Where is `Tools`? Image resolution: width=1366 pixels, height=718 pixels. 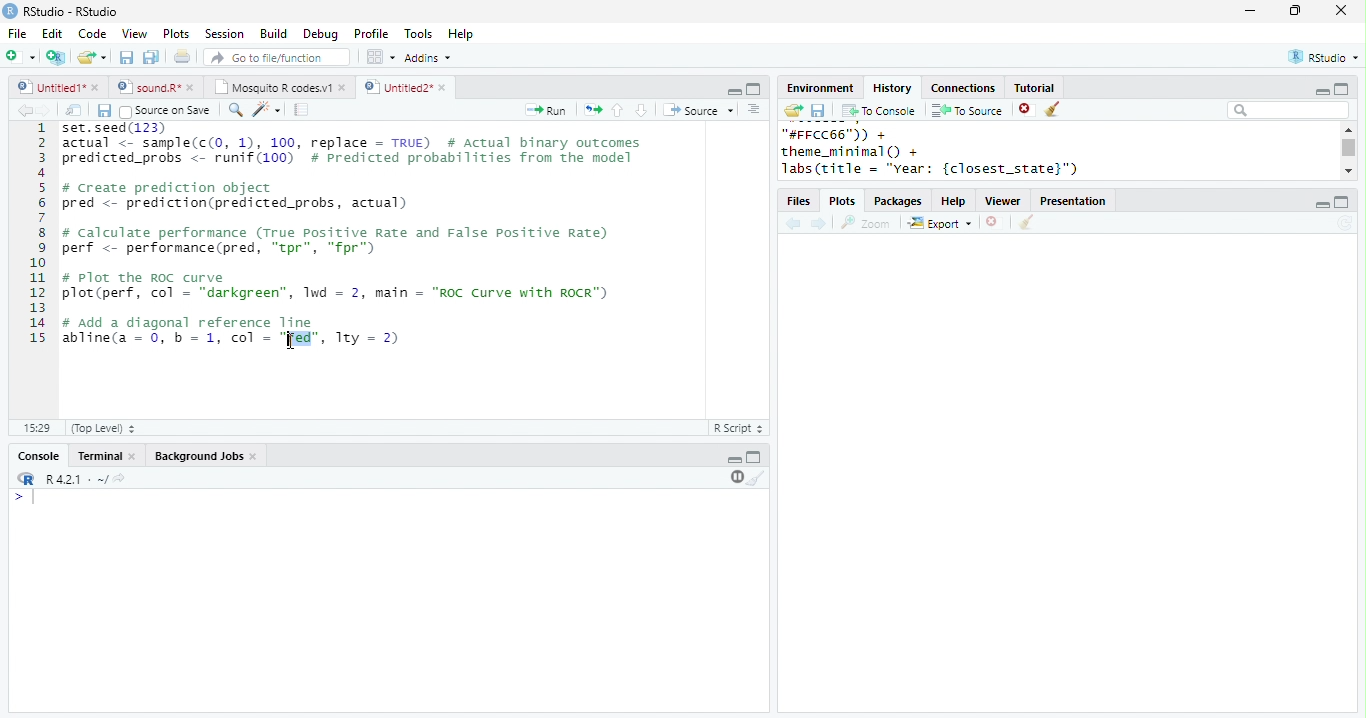 Tools is located at coordinates (419, 34).